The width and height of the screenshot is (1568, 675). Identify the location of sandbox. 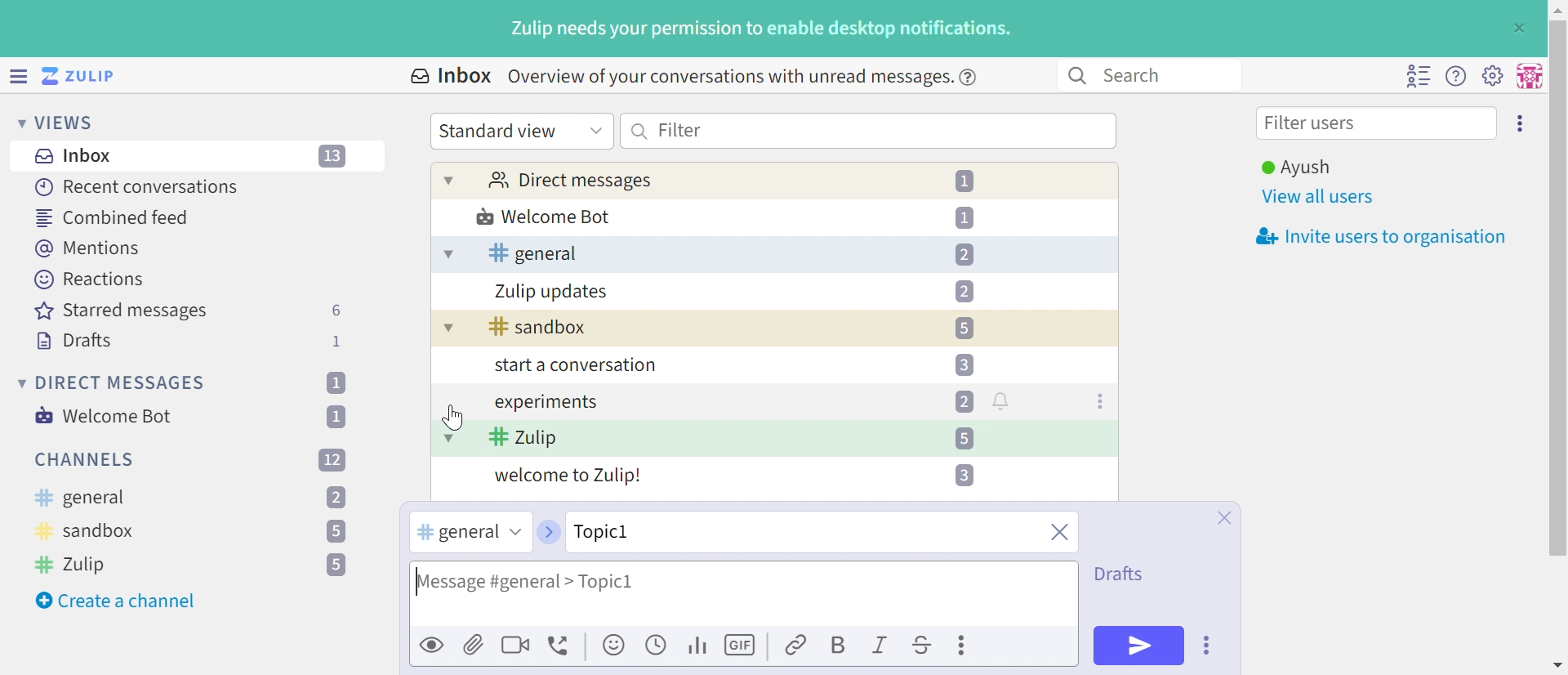
(87, 534).